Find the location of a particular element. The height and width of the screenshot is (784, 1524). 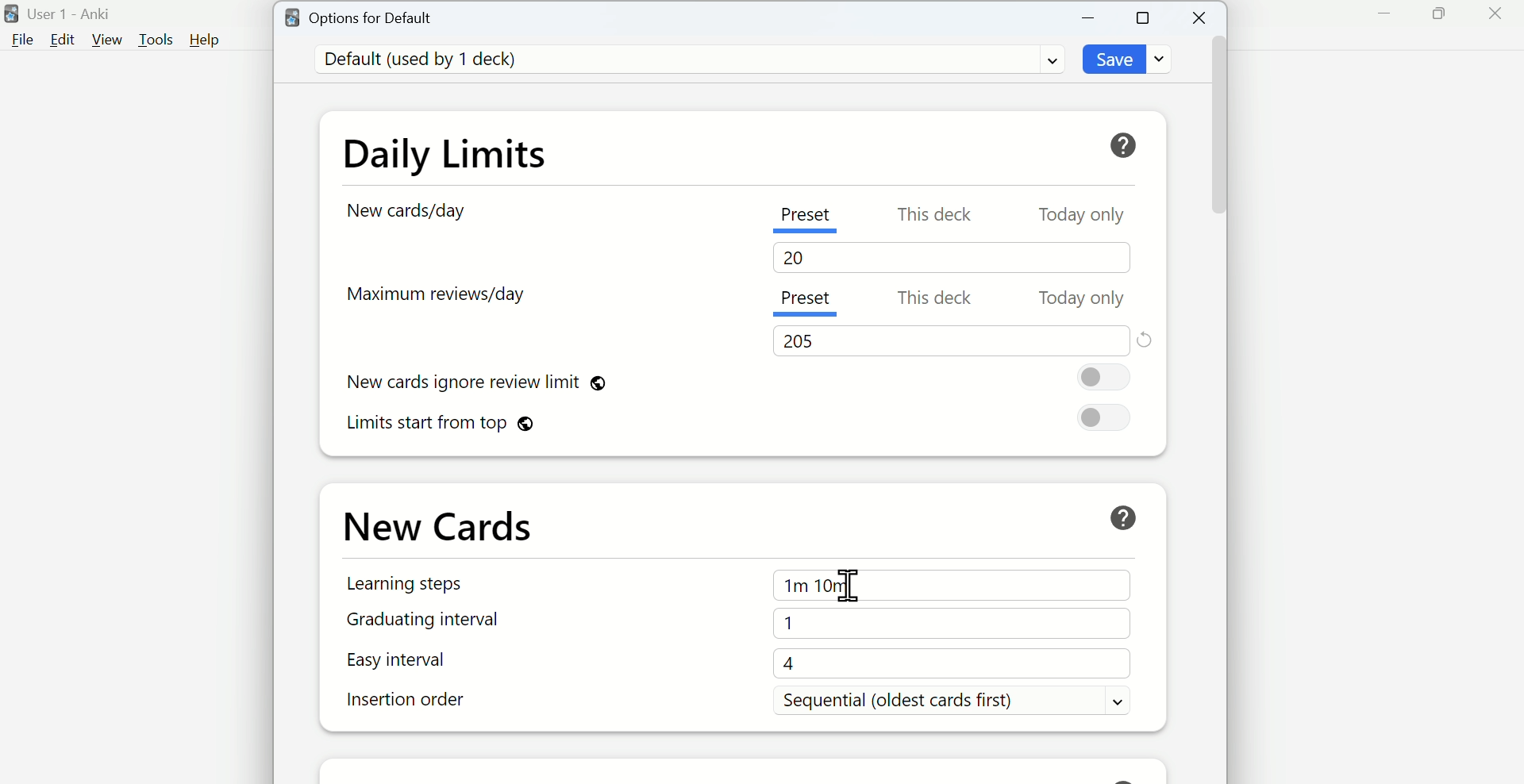

4 is located at coordinates (956, 665).